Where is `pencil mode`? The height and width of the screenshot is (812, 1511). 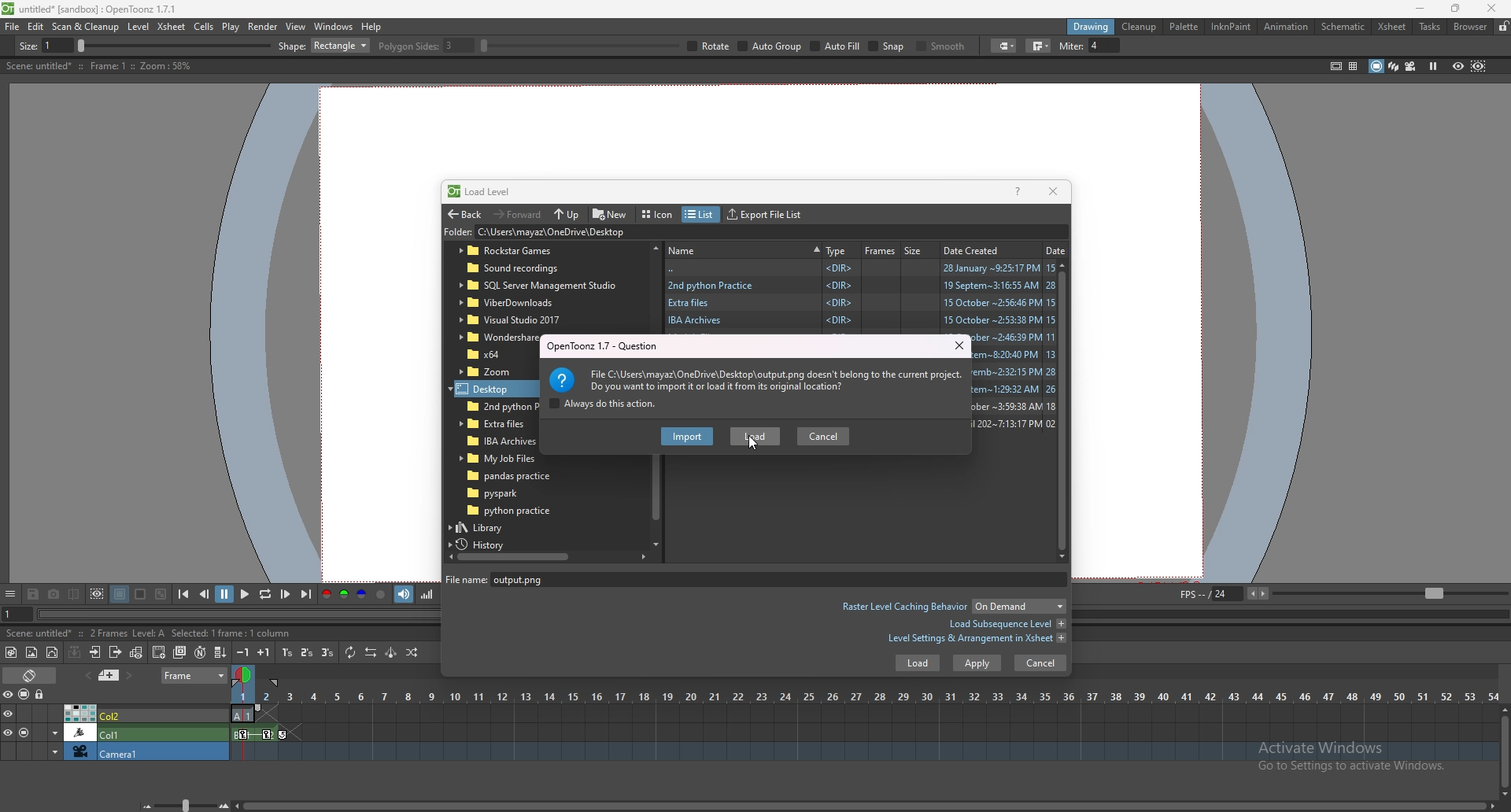
pencil mode is located at coordinates (1150, 46).